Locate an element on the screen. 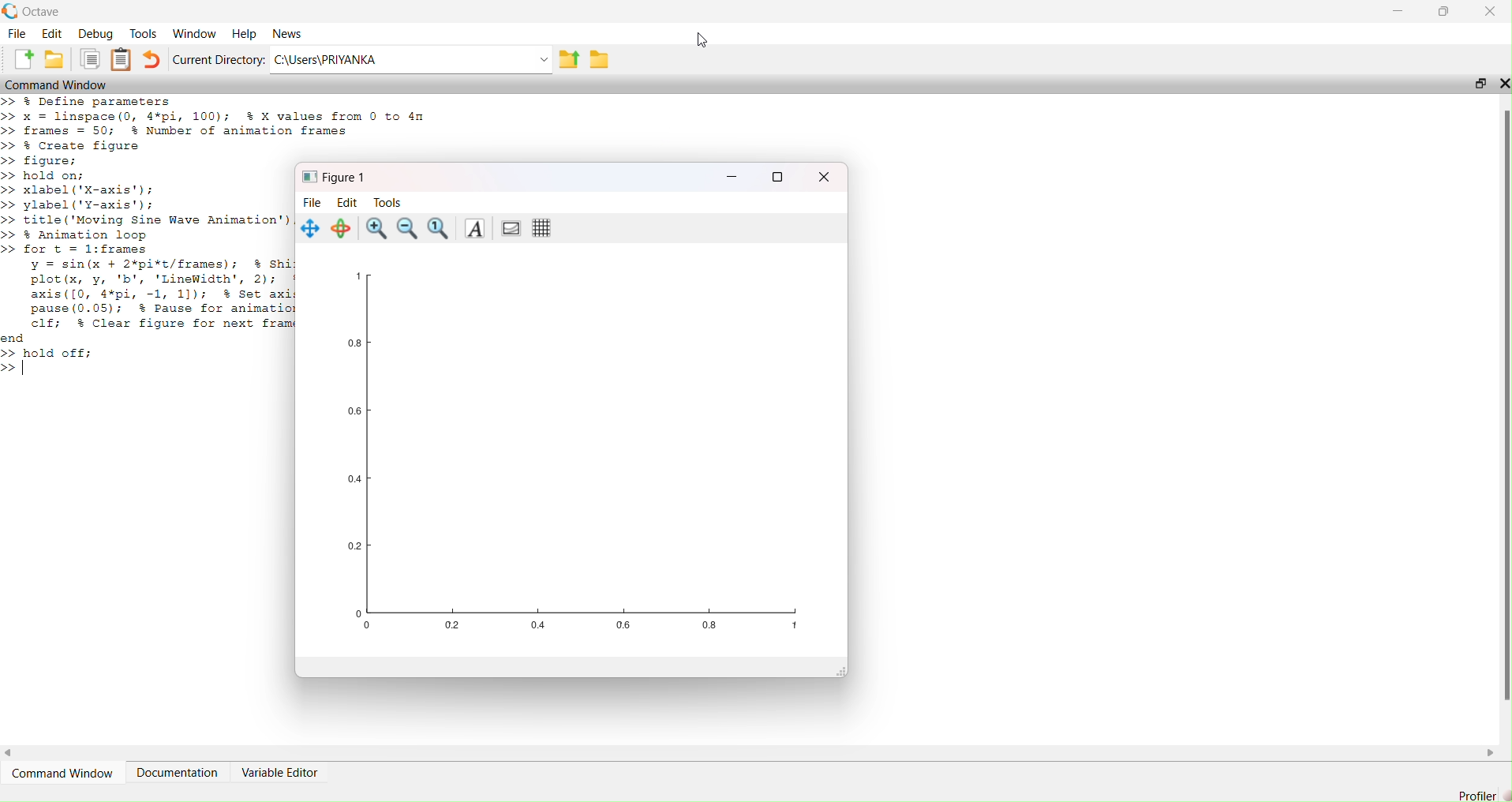 Image resolution: width=1512 pixels, height=802 pixels. File is located at coordinates (20, 36).